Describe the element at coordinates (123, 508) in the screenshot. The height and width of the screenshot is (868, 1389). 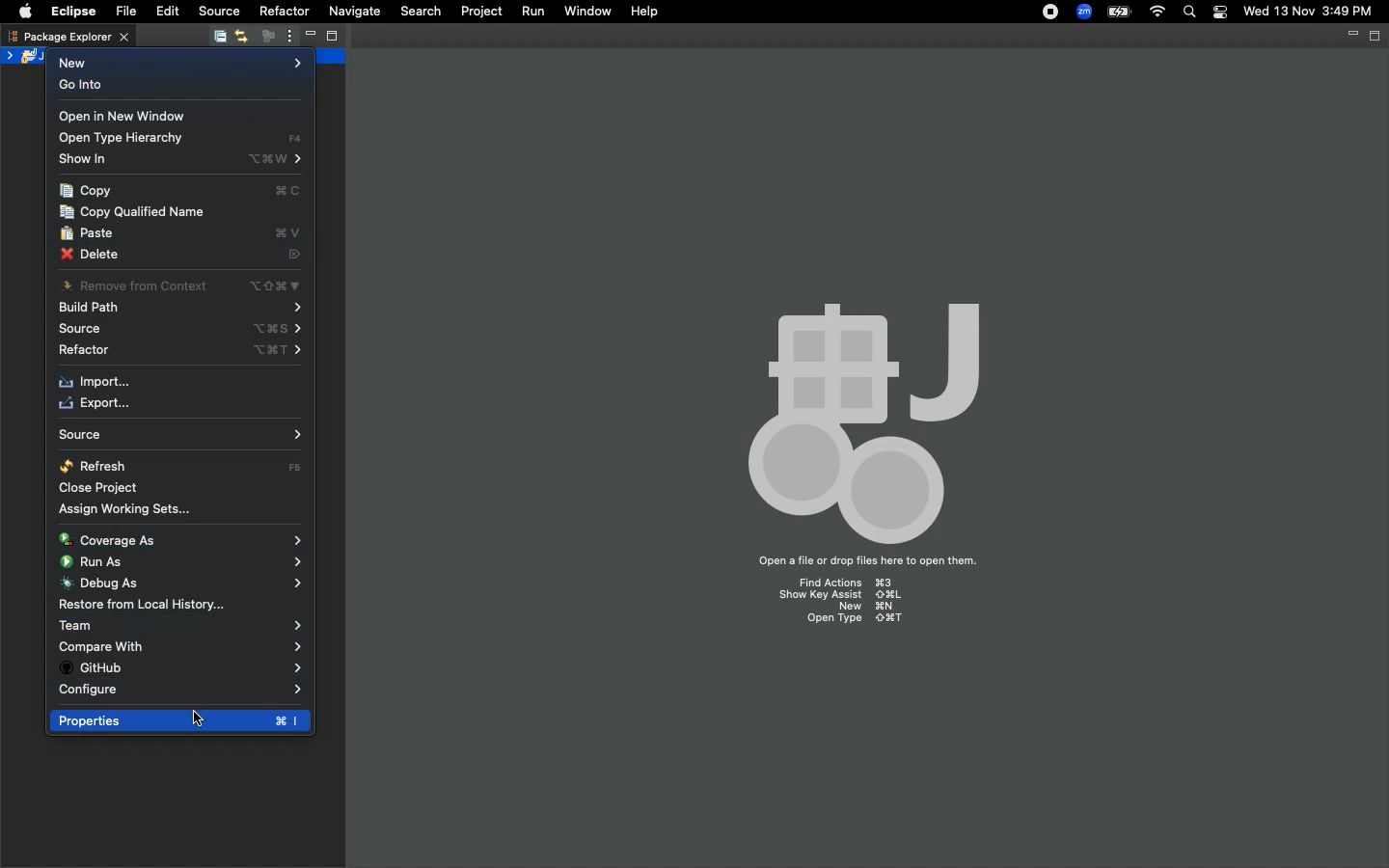
I see `Assign working sets` at that location.